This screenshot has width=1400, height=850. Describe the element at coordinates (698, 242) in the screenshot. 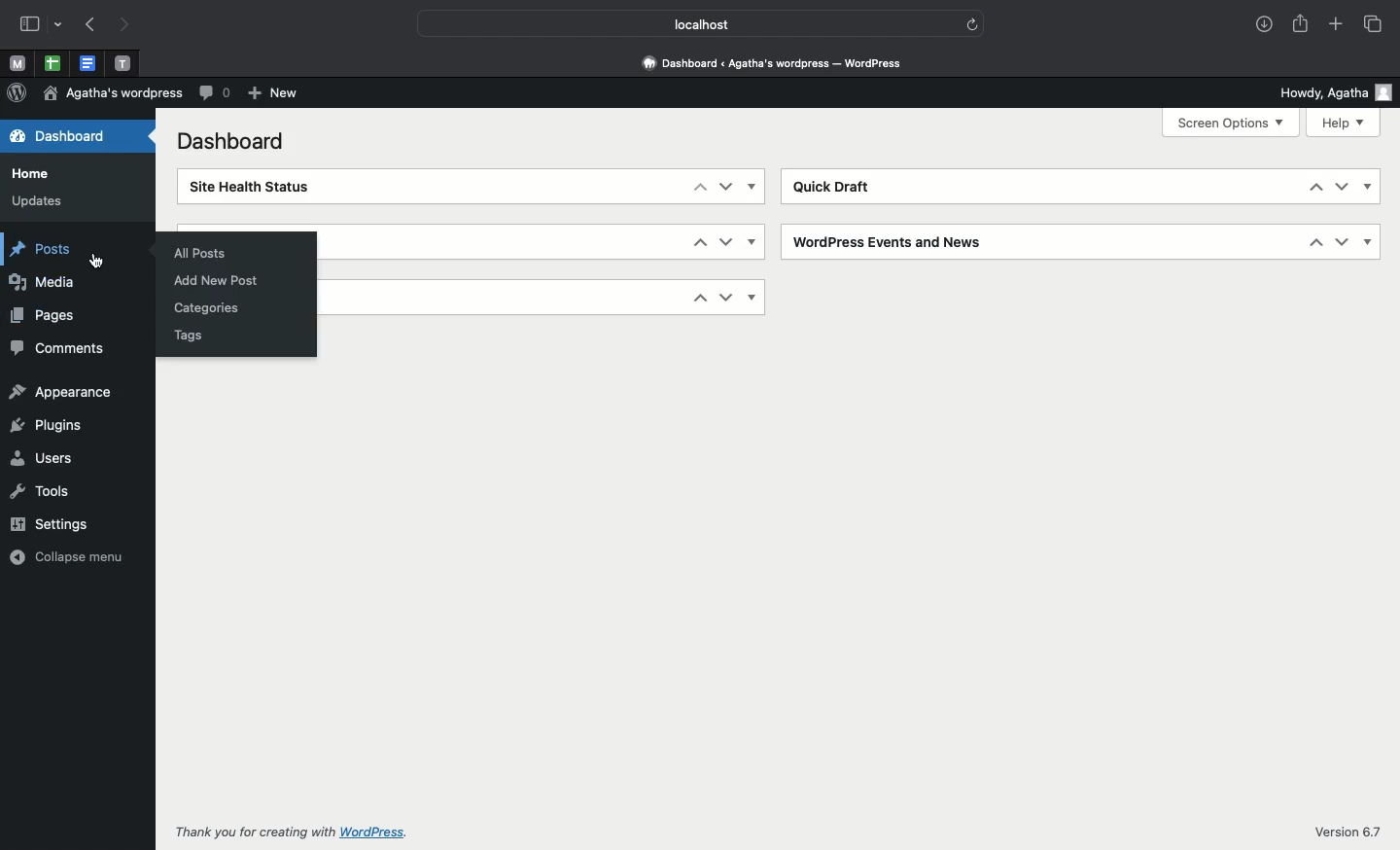

I see `Up` at that location.